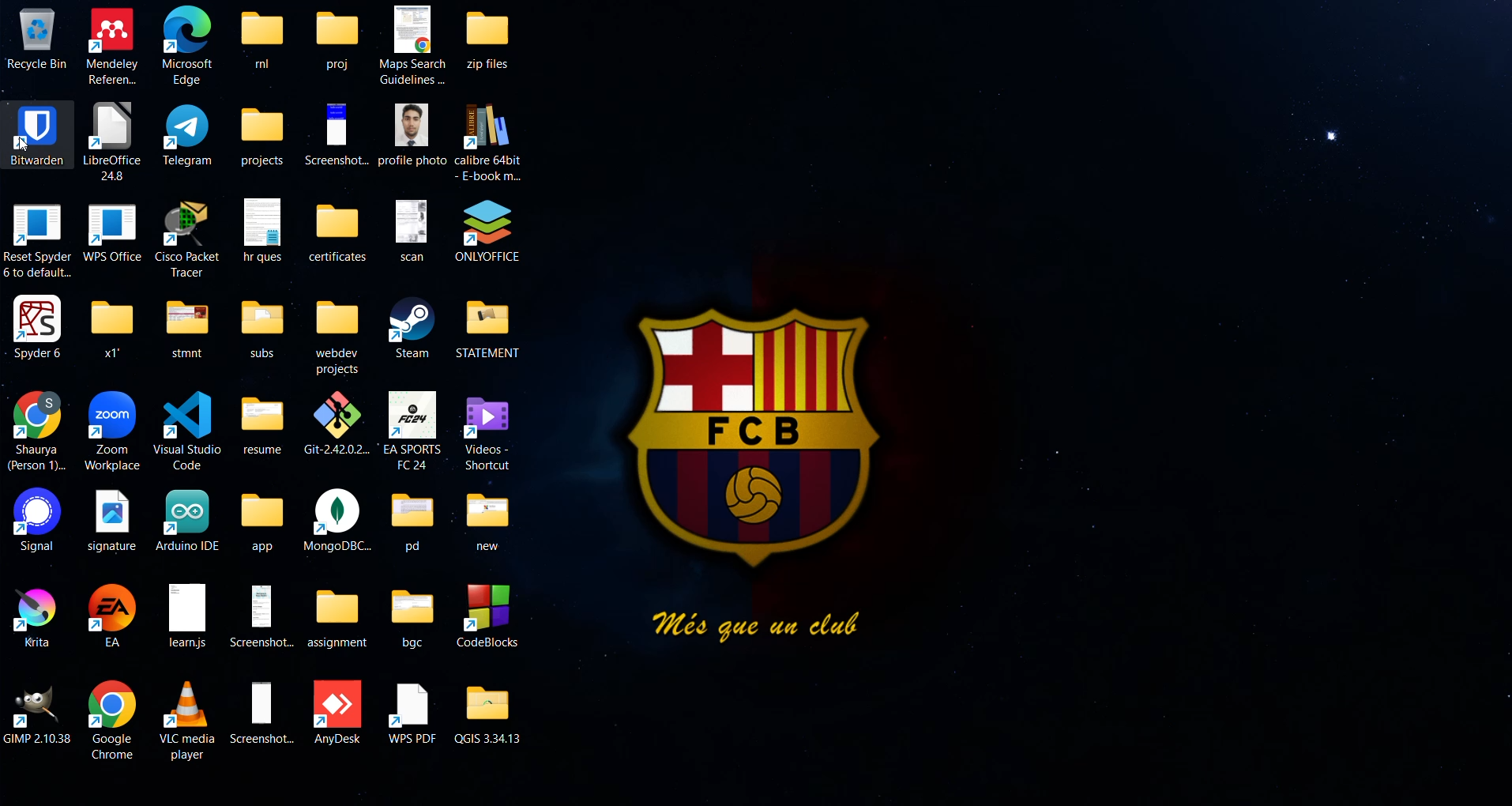 The width and height of the screenshot is (1512, 806). What do you see at coordinates (25, 145) in the screenshot?
I see `CURSOR` at bounding box center [25, 145].